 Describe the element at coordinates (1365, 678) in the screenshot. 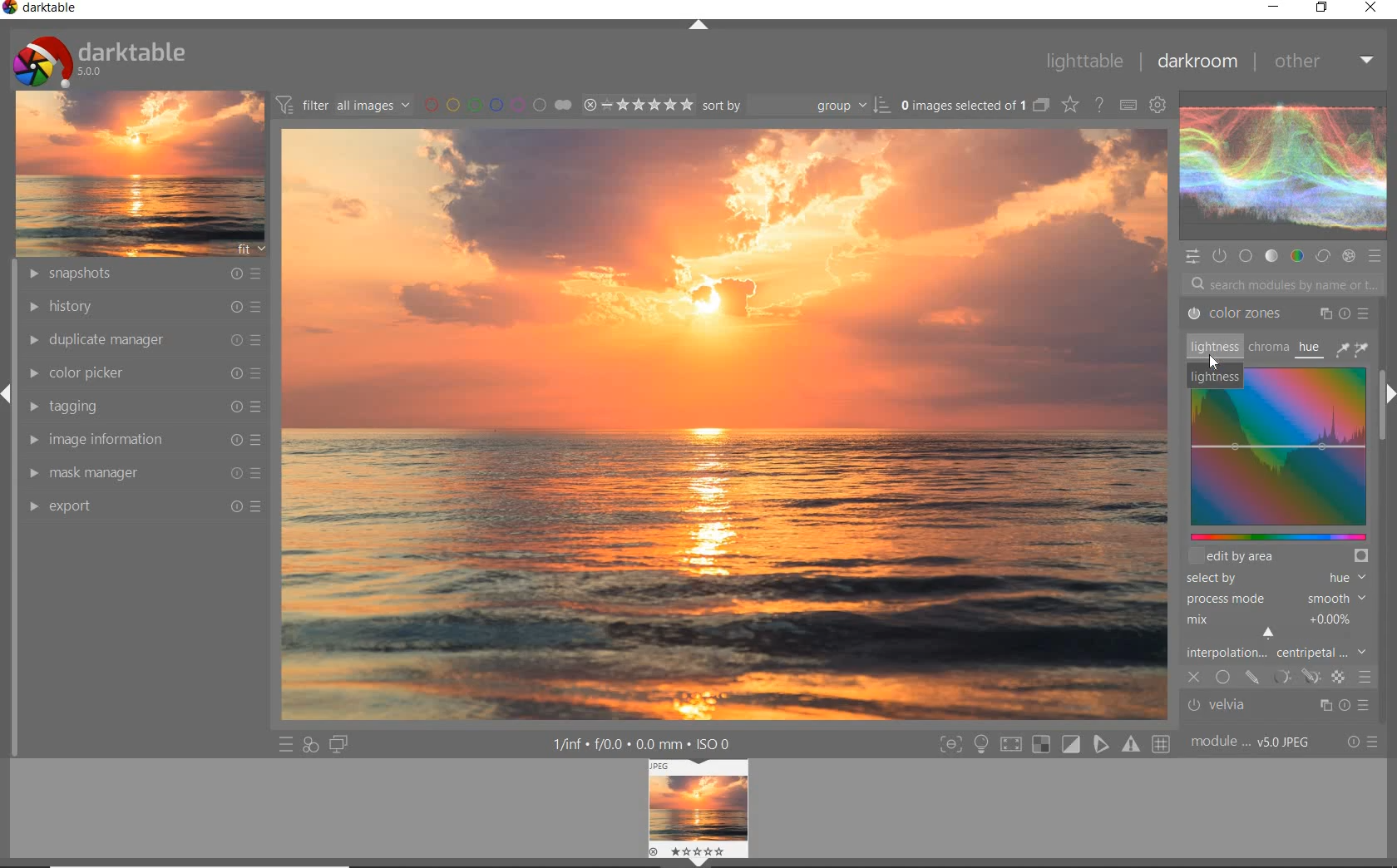

I see `BLENDING OPTIONS` at that location.